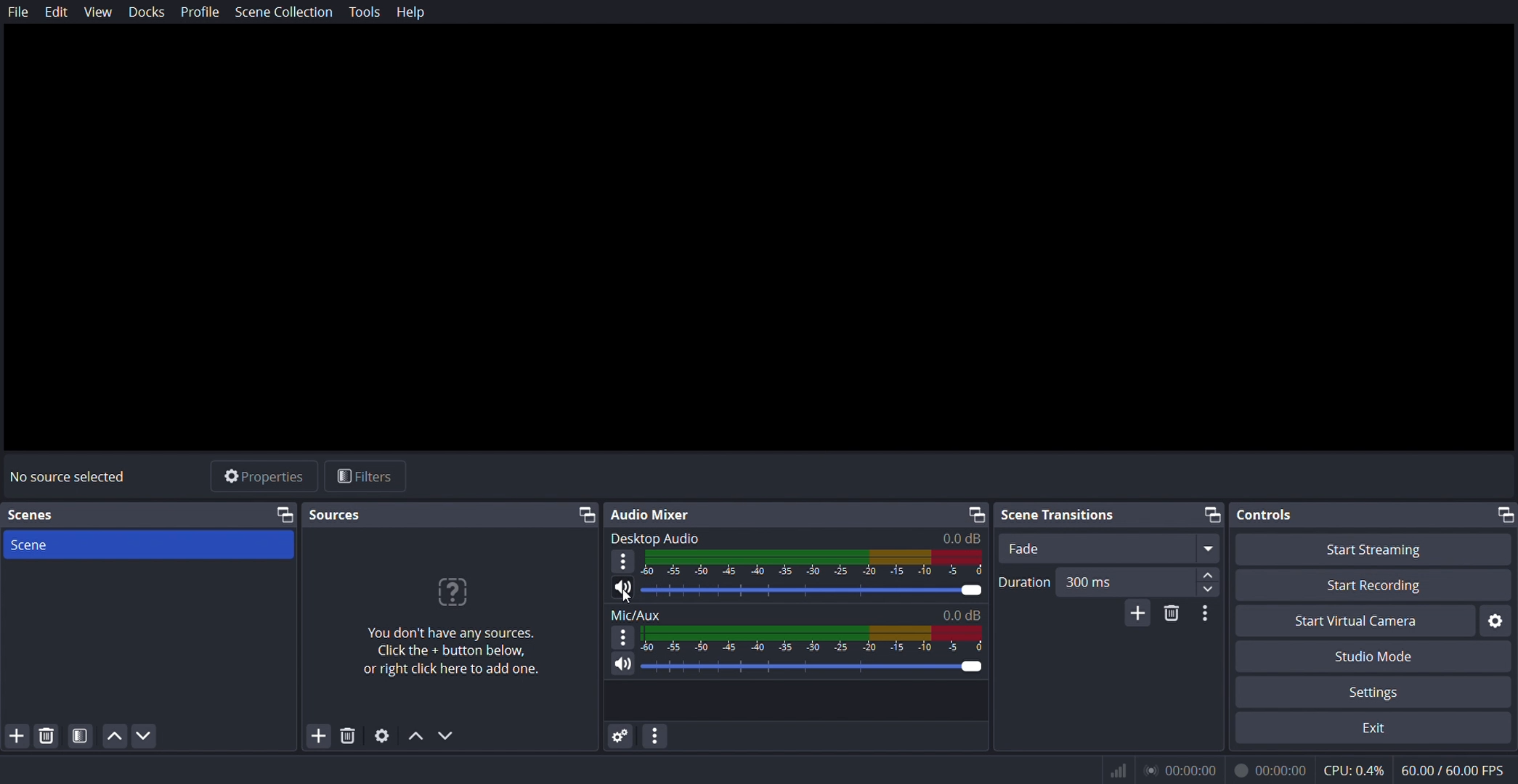 Image resolution: width=1518 pixels, height=784 pixels. I want to click on filters, so click(362, 478).